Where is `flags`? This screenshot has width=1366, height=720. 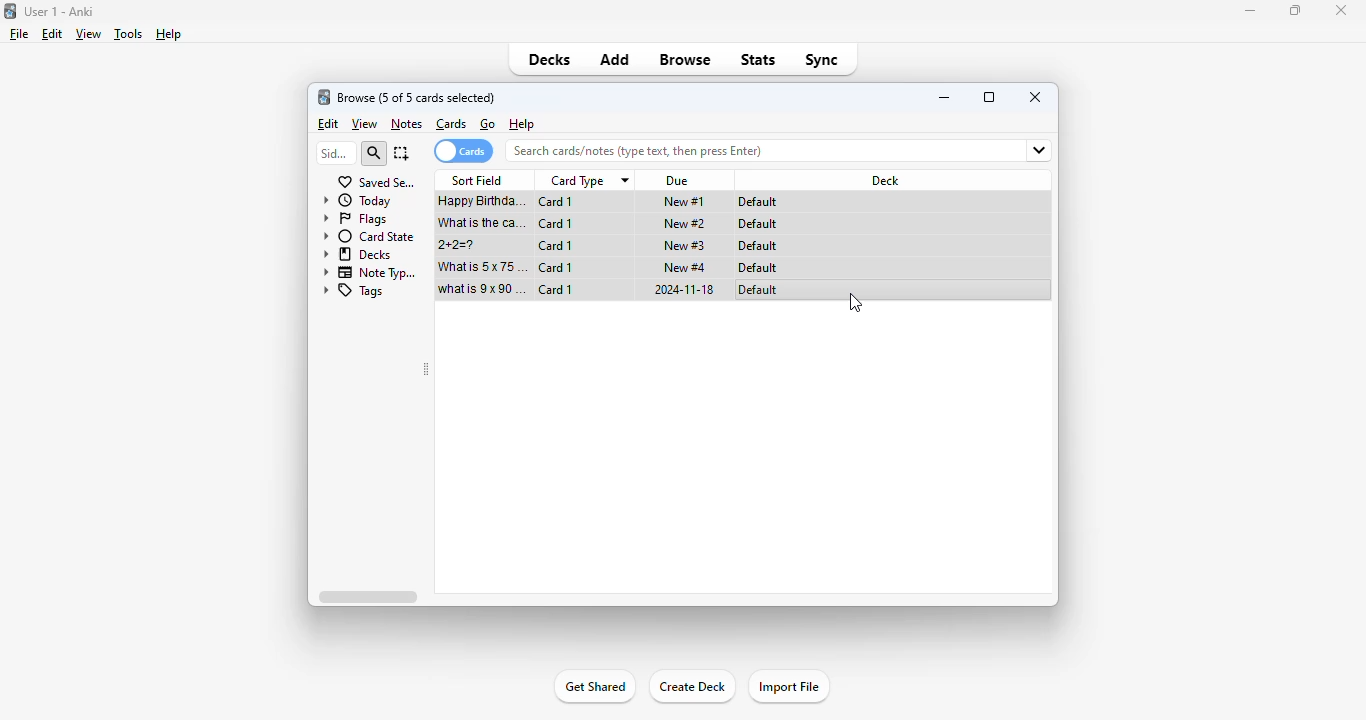
flags is located at coordinates (355, 219).